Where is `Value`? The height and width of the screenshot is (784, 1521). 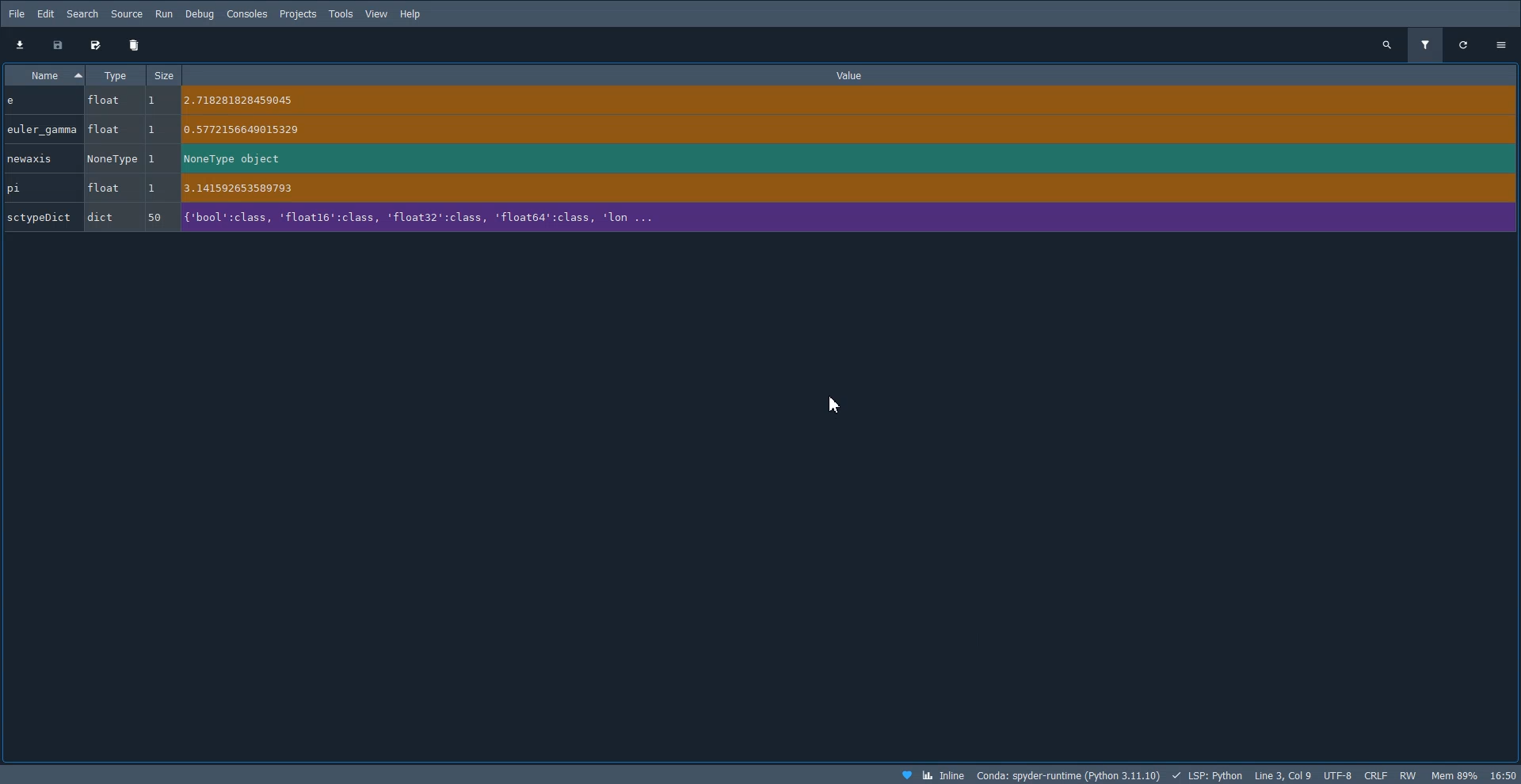
Value is located at coordinates (846, 74).